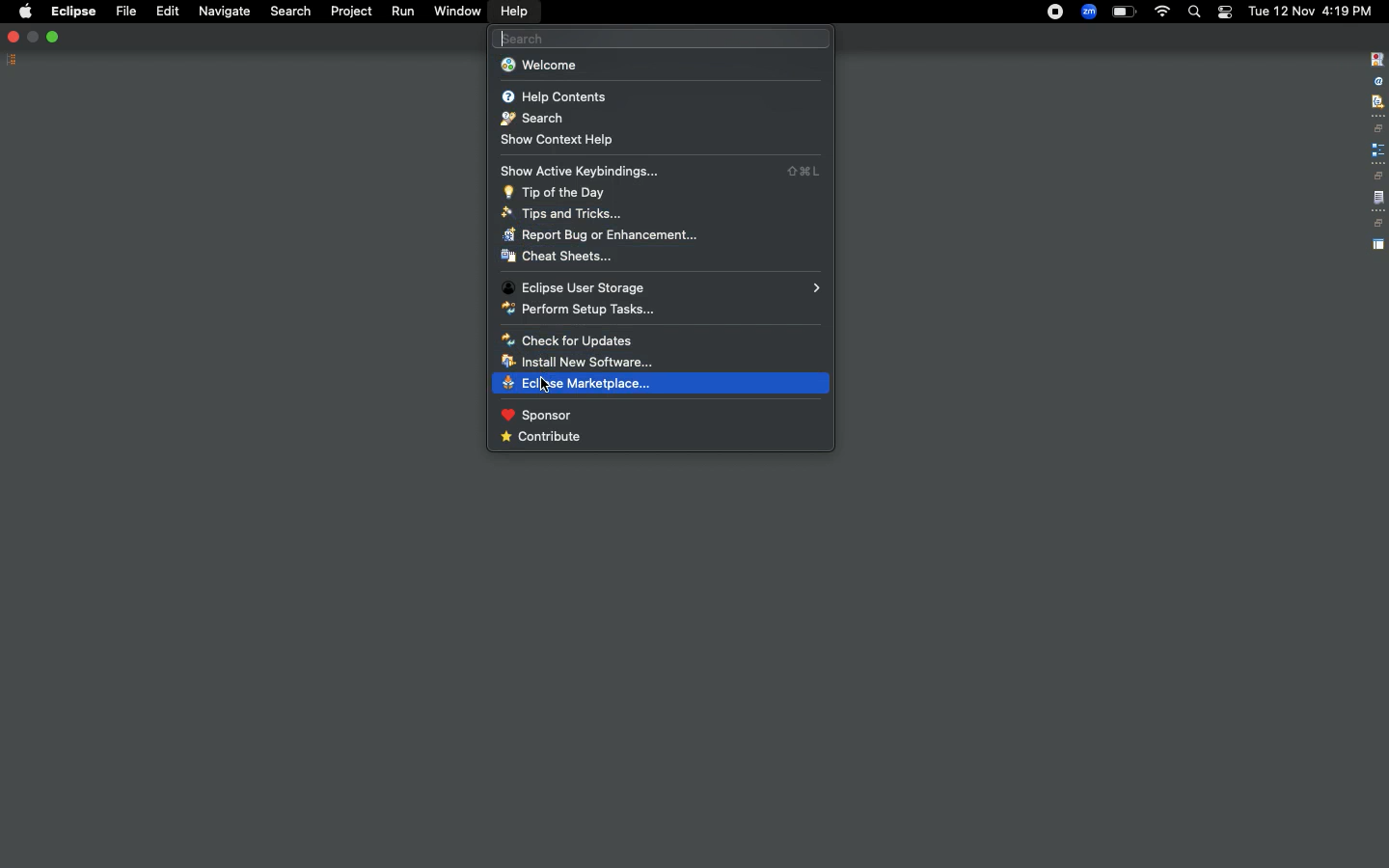 The image size is (1389, 868). Describe the element at coordinates (598, 235) in the screenshot. I see `Report bug or enhancement` at that location.